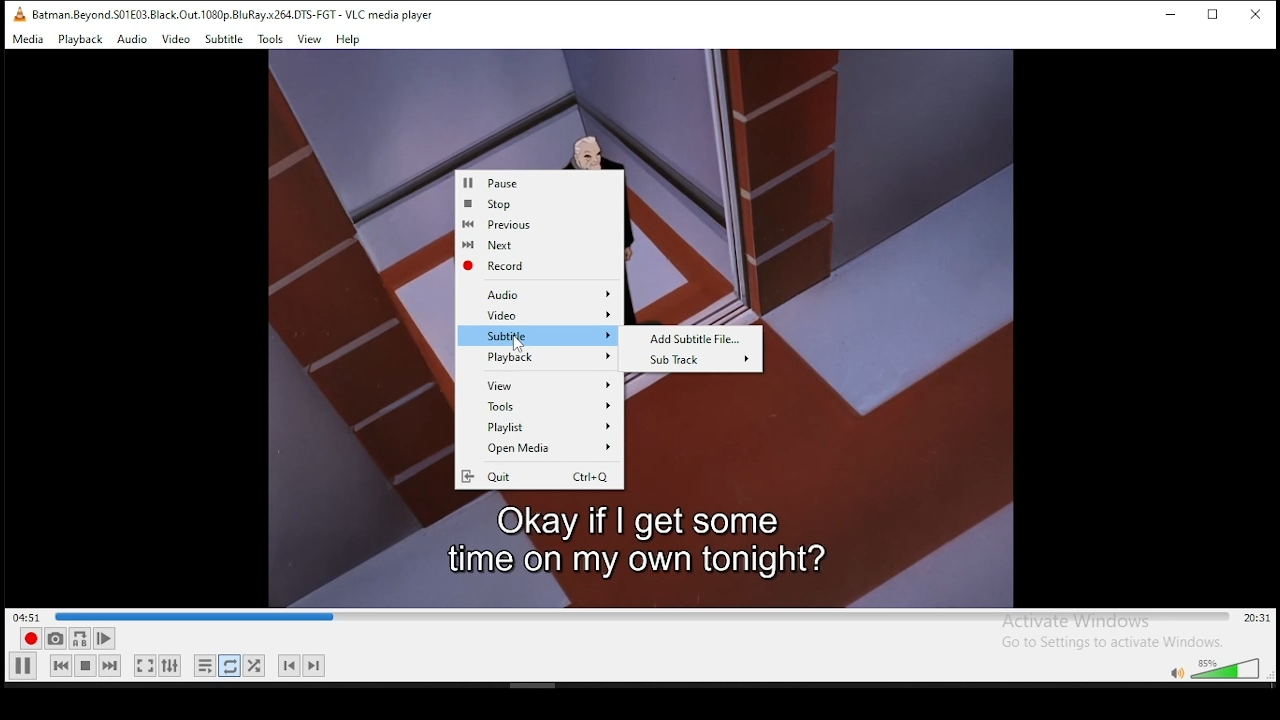  I want to click on Loop Playlist , so click(206, 668).